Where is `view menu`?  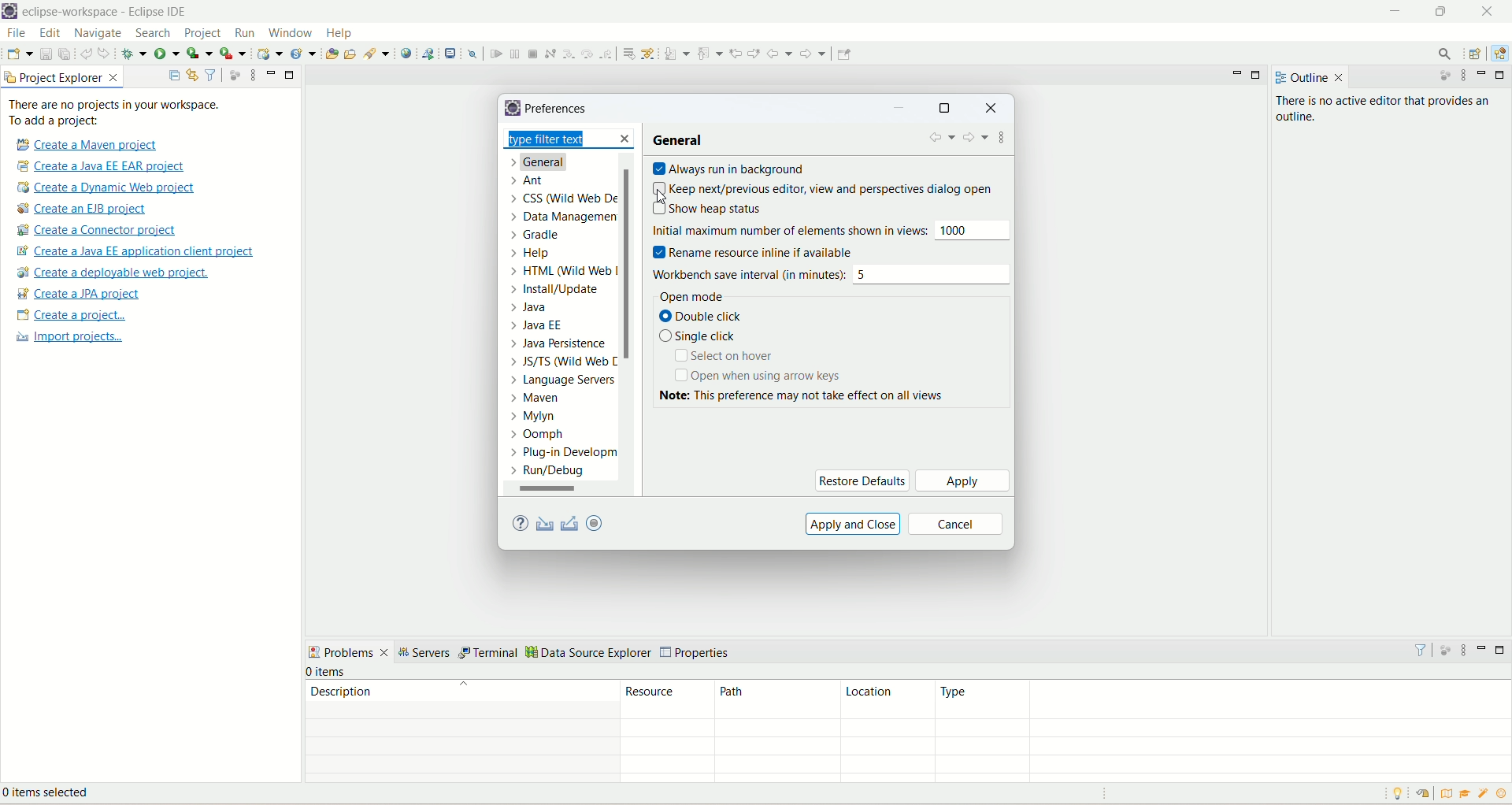 view menu is located at coordinates (1463, 650).